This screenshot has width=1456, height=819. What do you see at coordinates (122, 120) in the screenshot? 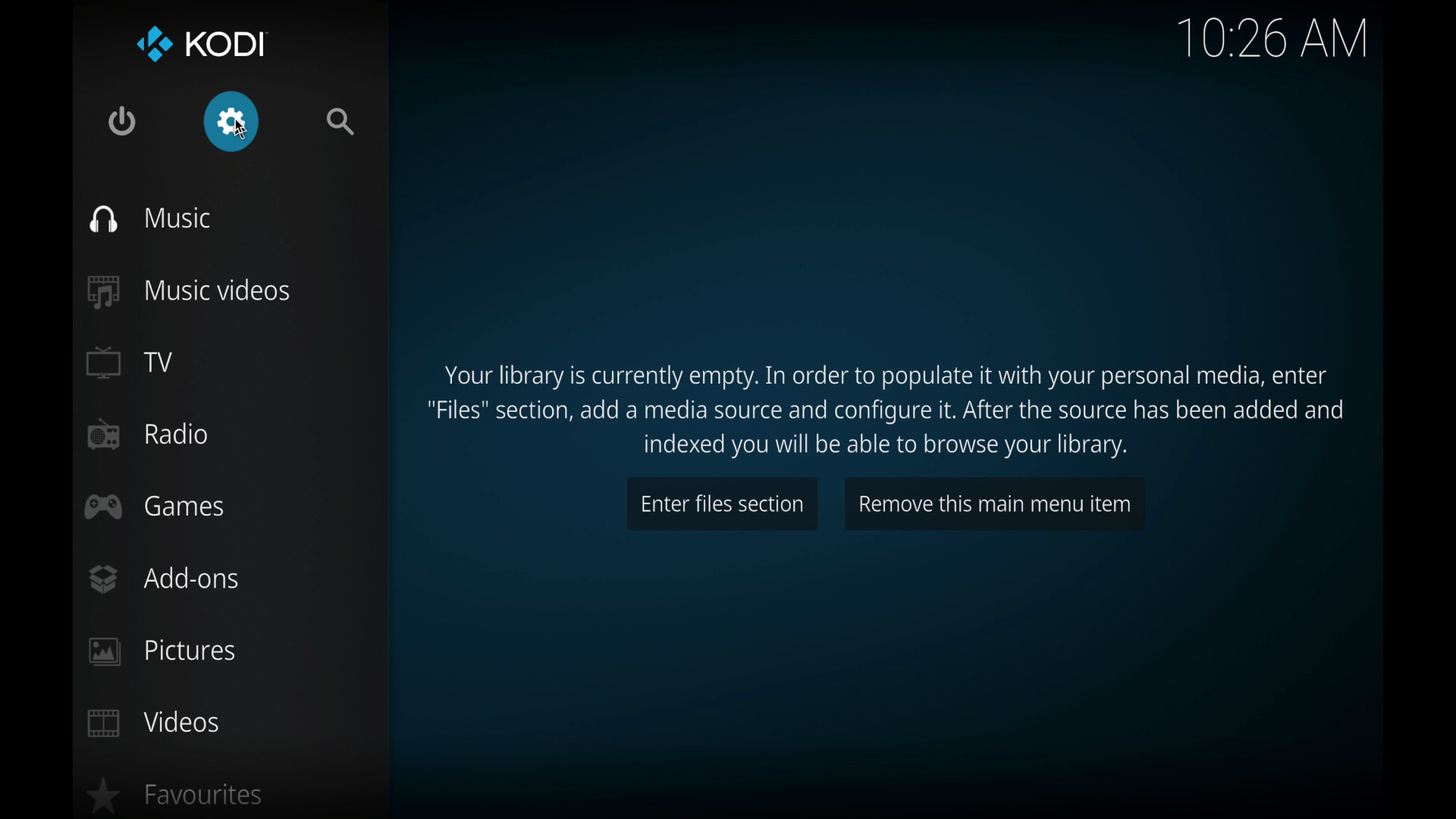
I see `quit kodi` at bounding box center [122, 120].